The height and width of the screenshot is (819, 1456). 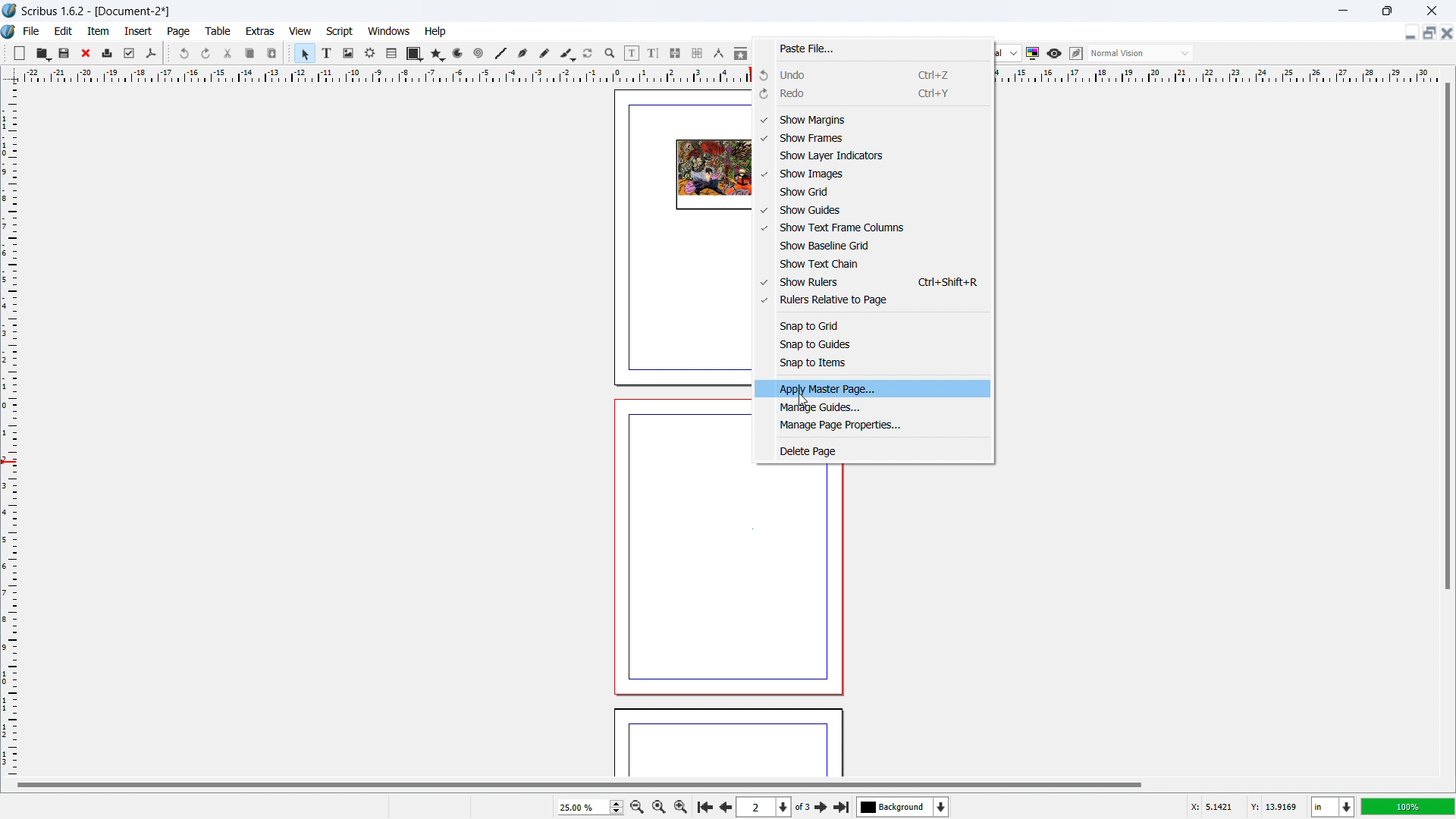 What do you see at coordinates (718, 54) in the screenshot?
I see `measurement` at bounding box center [718, 54].